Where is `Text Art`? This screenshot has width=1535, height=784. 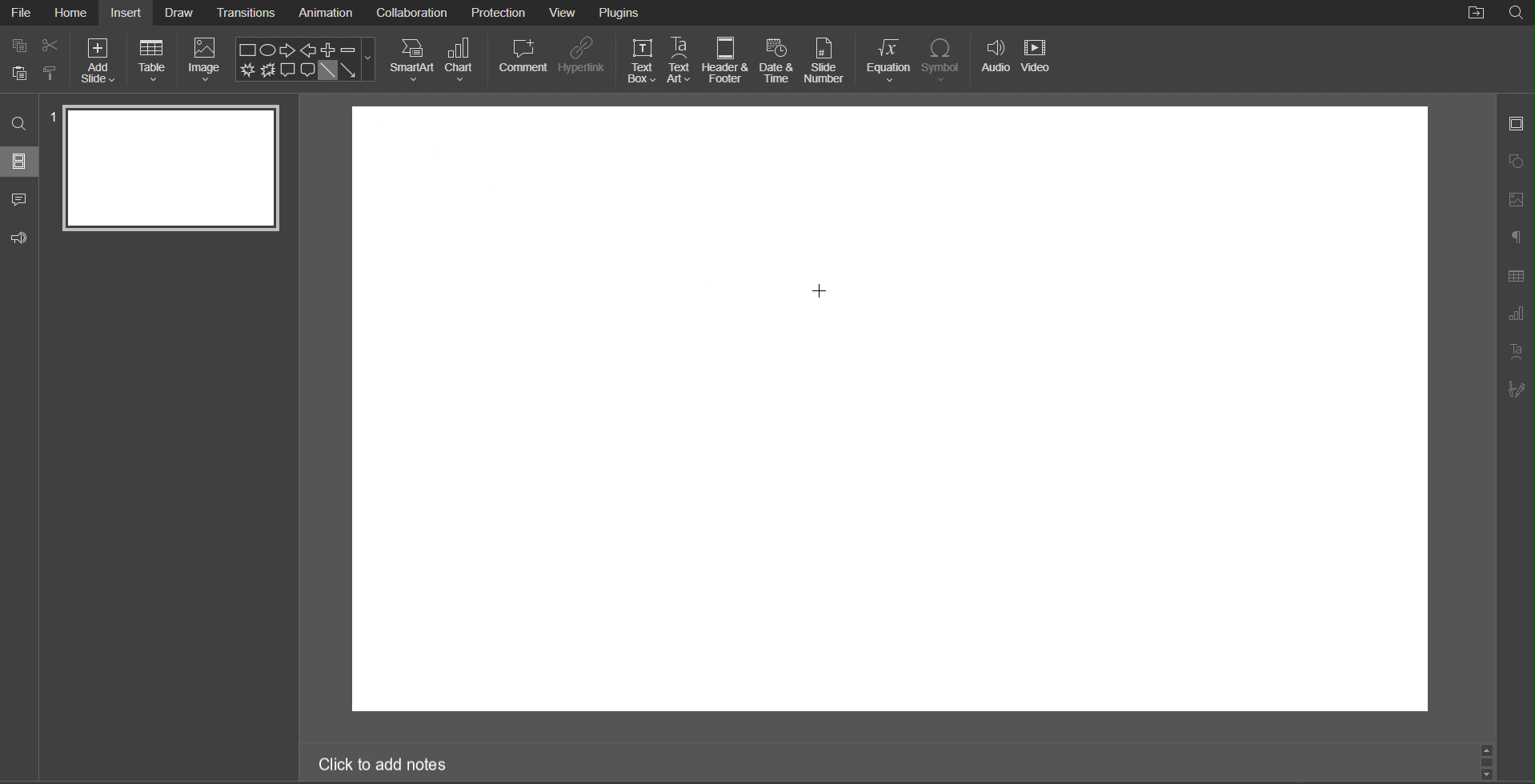 Text Art is located at coordinates (681, 60).